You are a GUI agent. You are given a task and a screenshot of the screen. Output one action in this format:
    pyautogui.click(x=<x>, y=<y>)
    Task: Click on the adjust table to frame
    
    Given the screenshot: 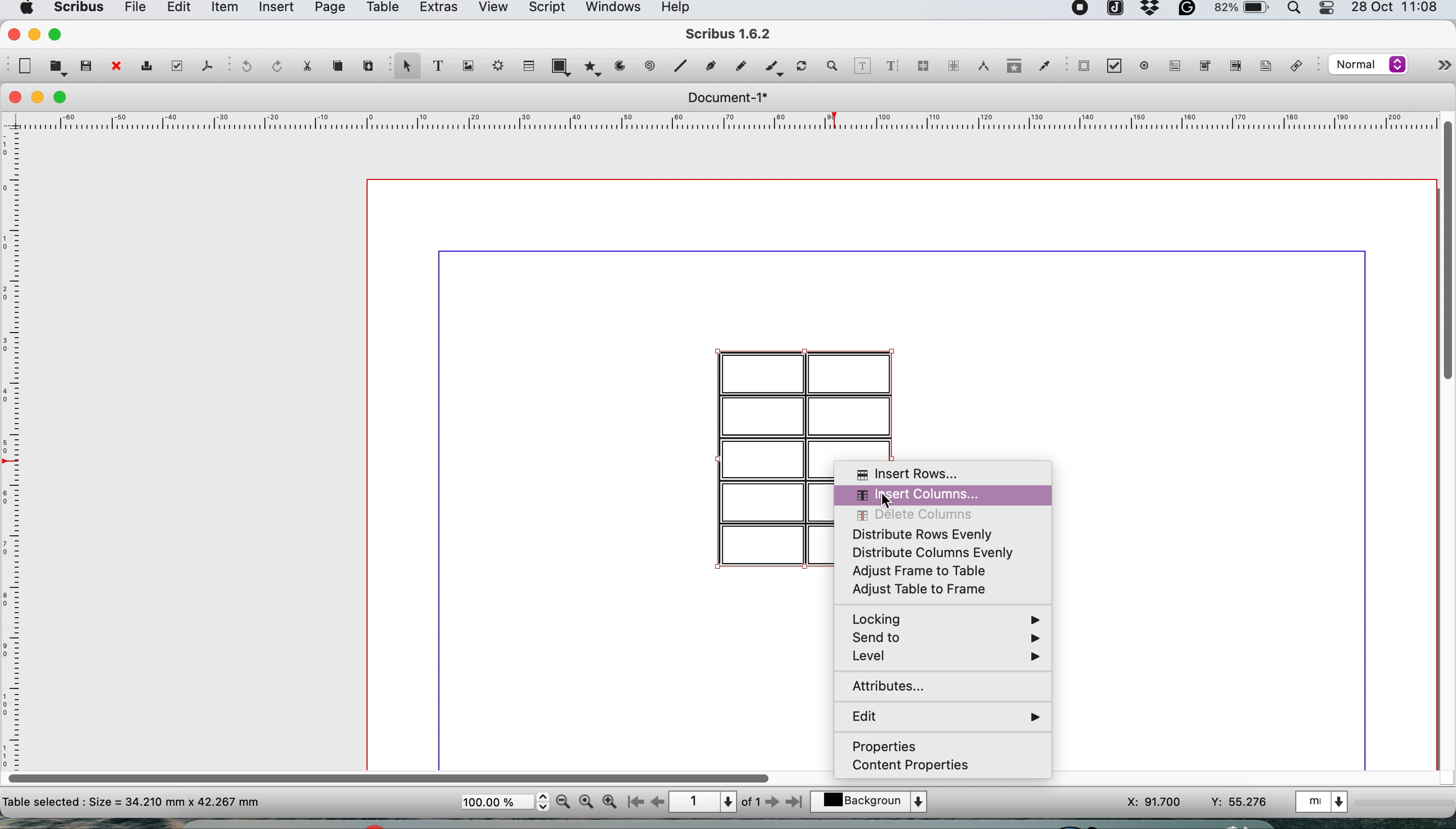 What is the action you would take?
    pyautogui.click(x=929, y=590)
    